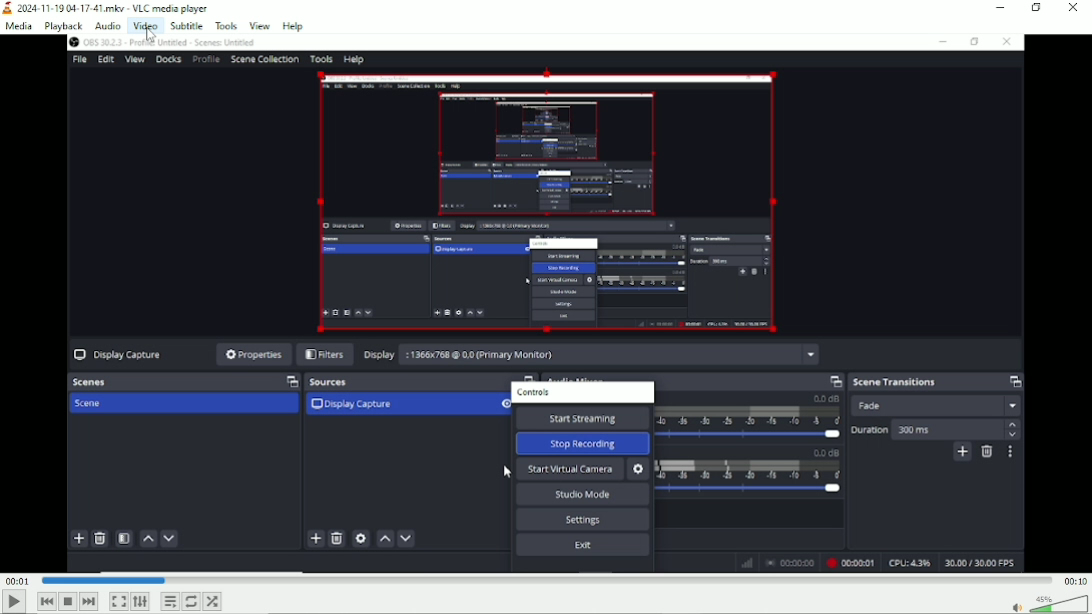 The width and height of the screenshot is (1092, 614). Describe the element at coordinates (18, 28) in the screenshot. I see `Media` at that location.